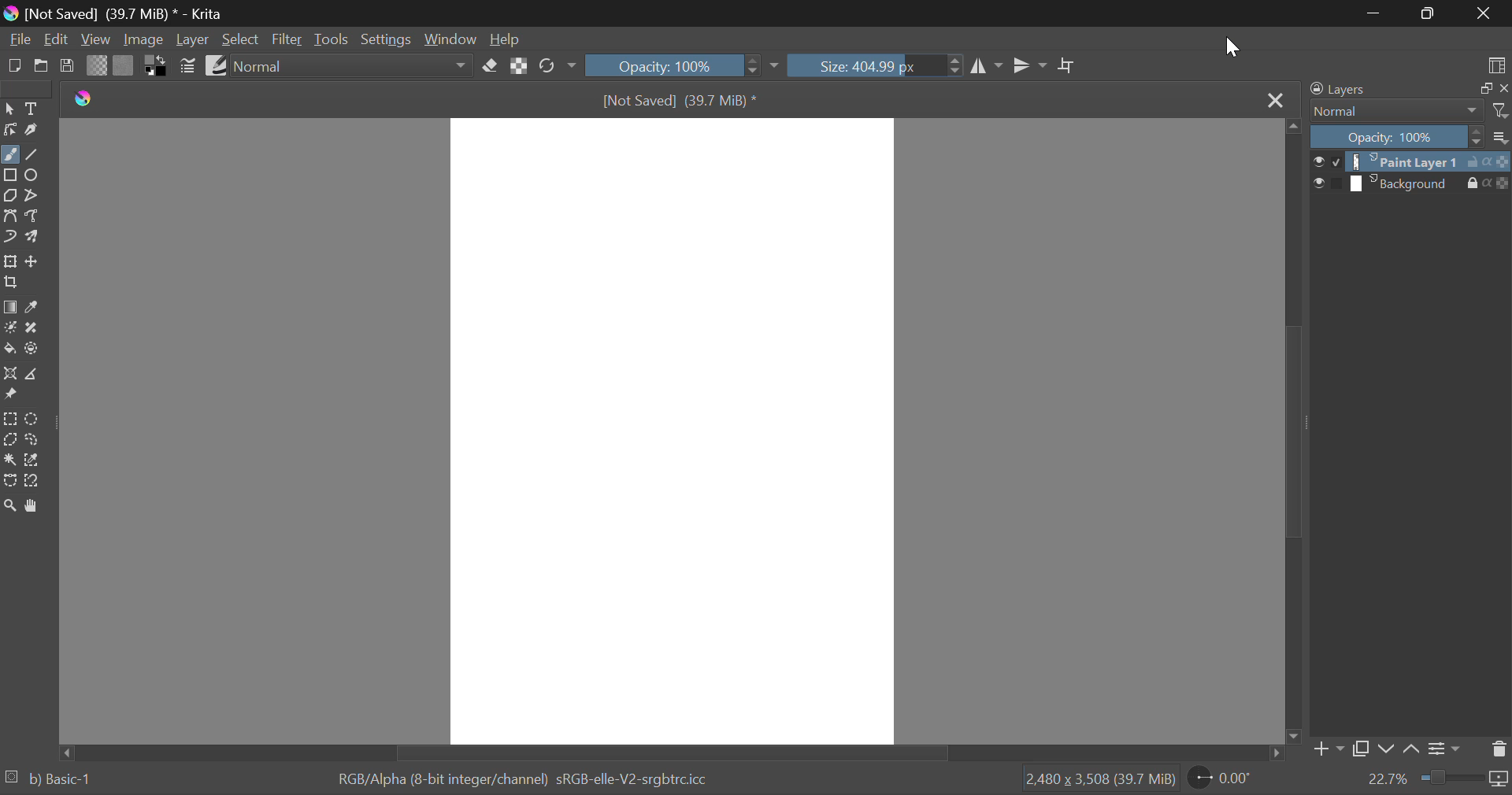 The height and width of the screenshot is (795, 1512). I want to click on Brush Settings, so click(188, 66).